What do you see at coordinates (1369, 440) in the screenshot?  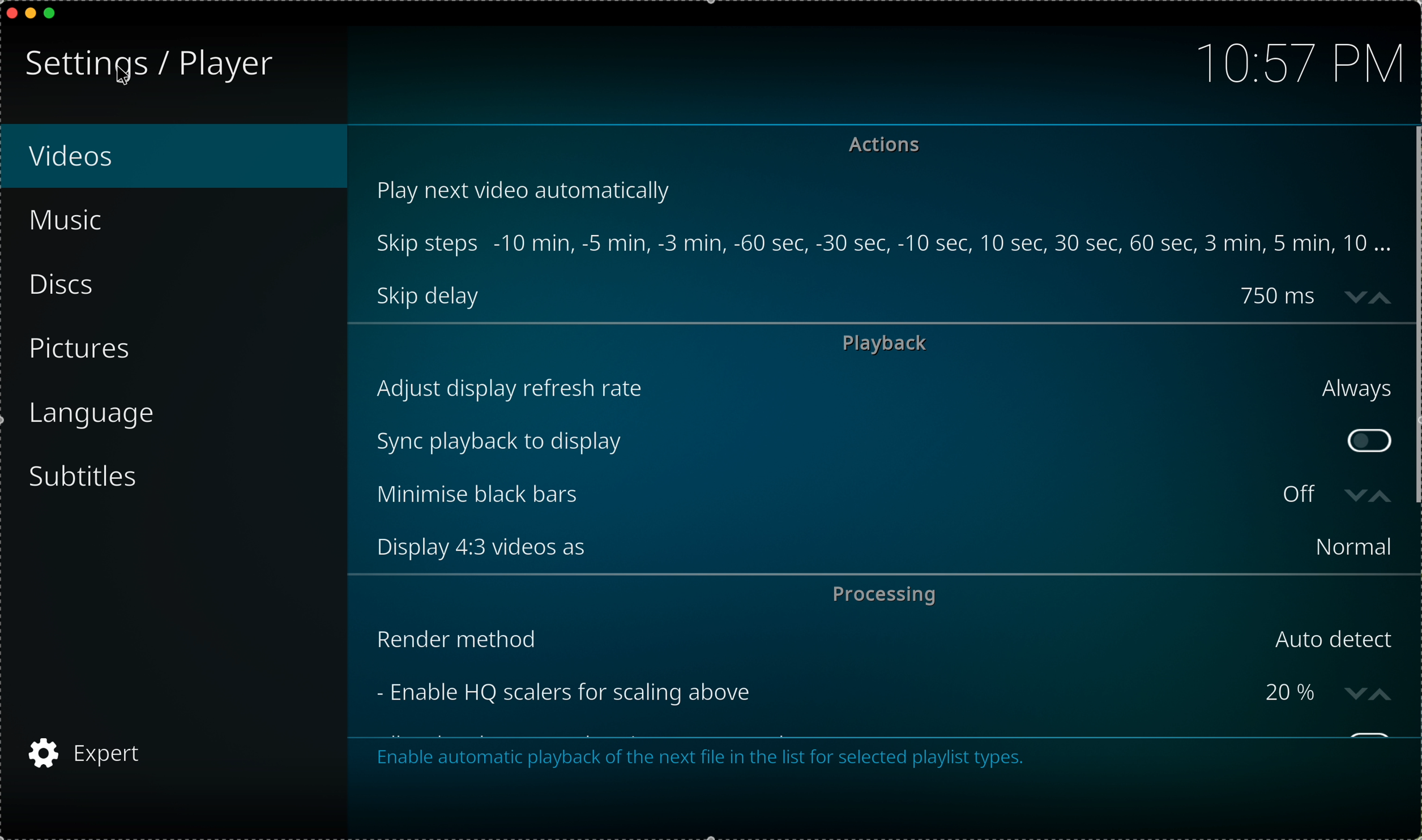 I see `toggle` at bounding box center [1369, 440].